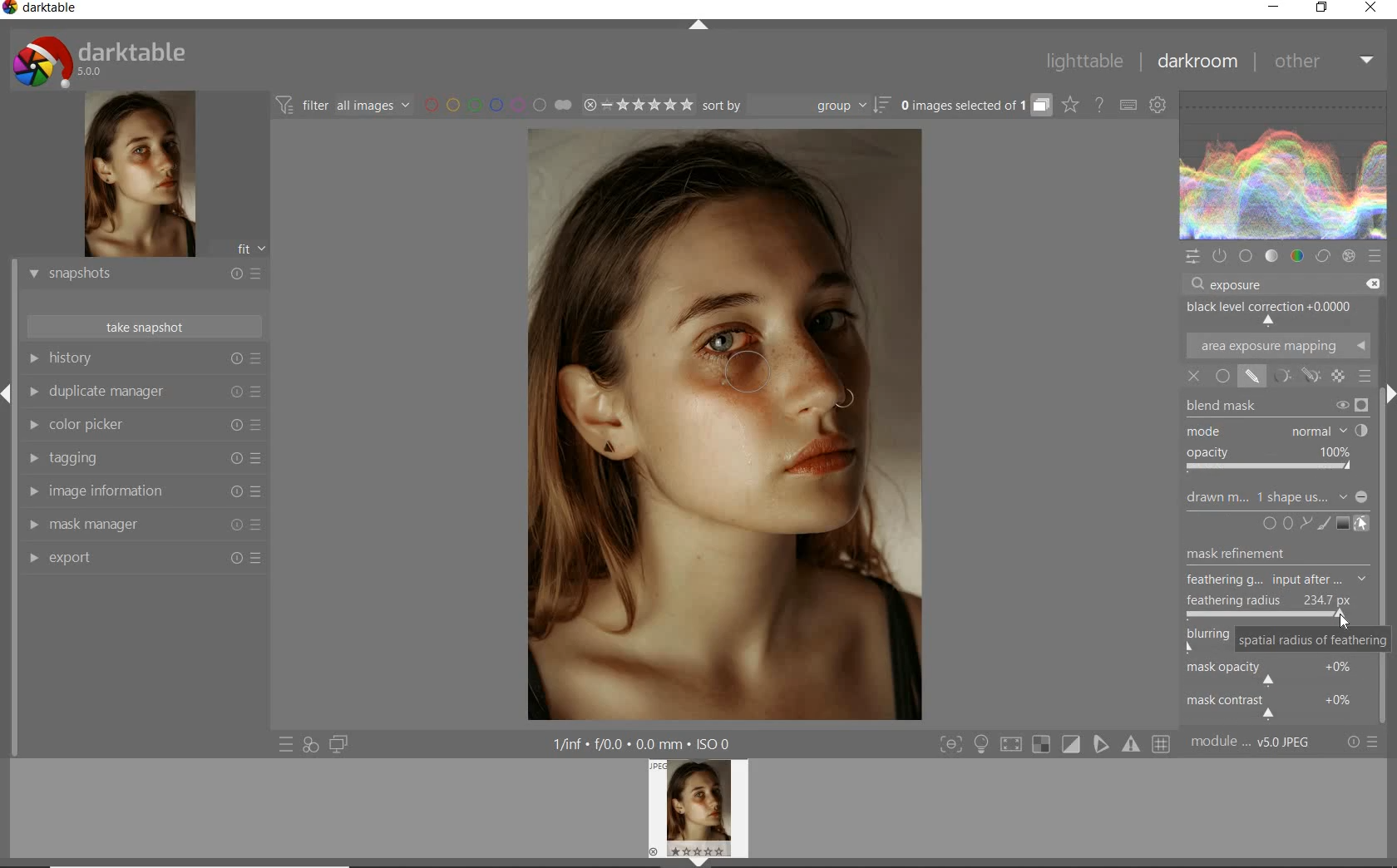 Image resolution: width=1397 pixels, height=868 pixels. I want to click on FEATHERING G...input after, so click(1276, 580).